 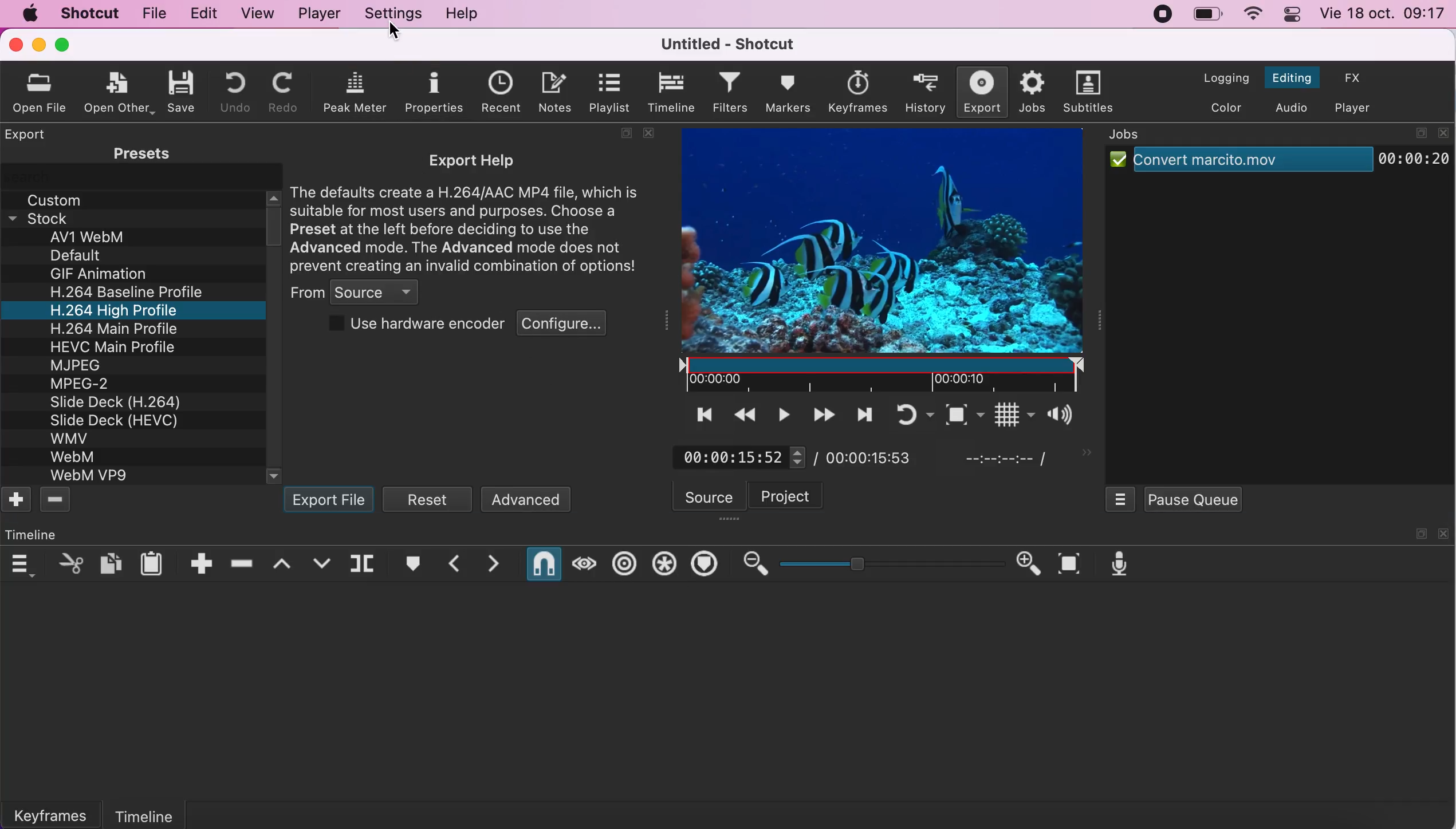 What do you see at coordinates (1444, 534) in the screenshot?
I see `close` at bounding box center [1444, 534].